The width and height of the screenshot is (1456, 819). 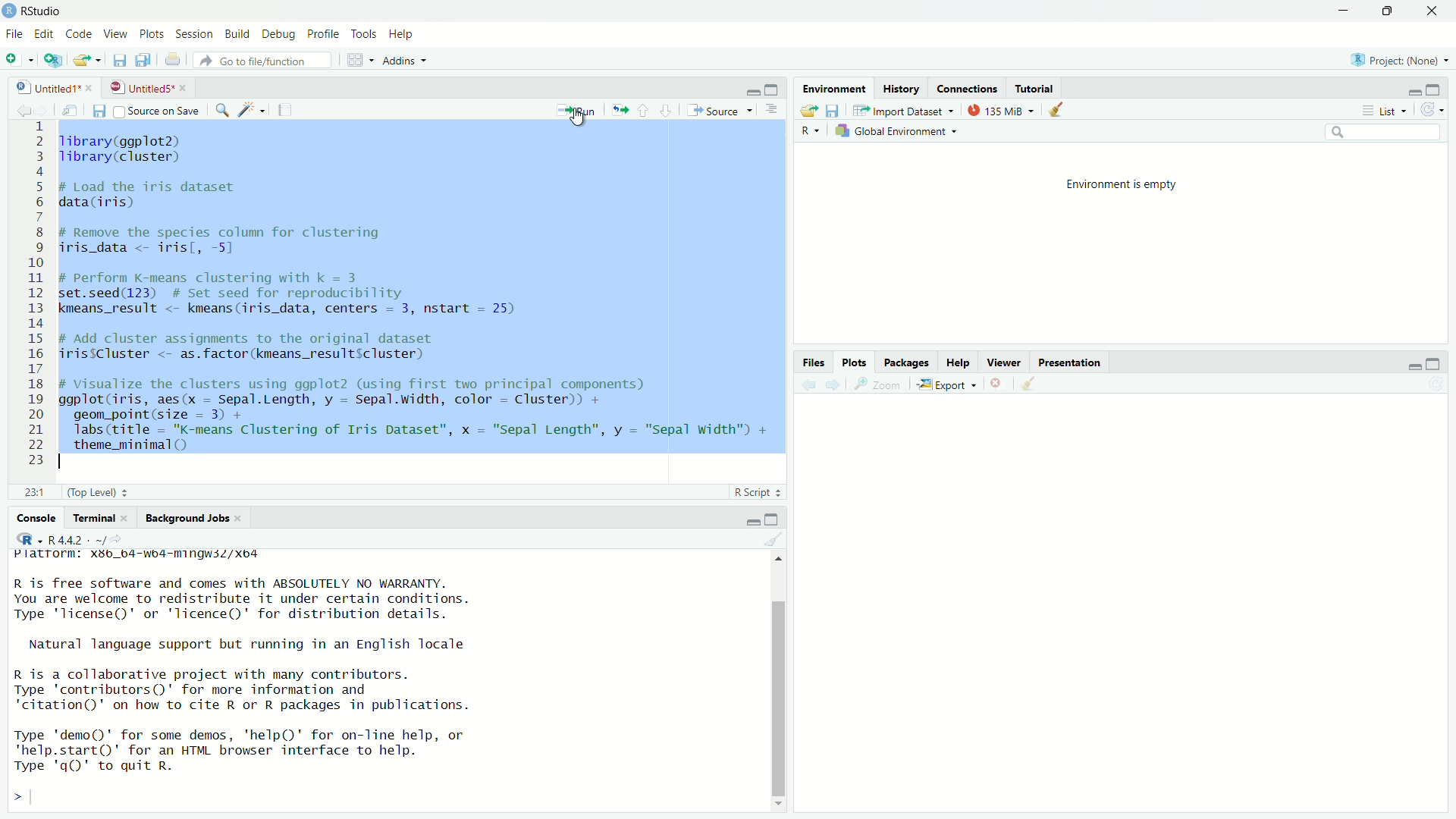 I want to click on Environment, so click(x=835, y=88).